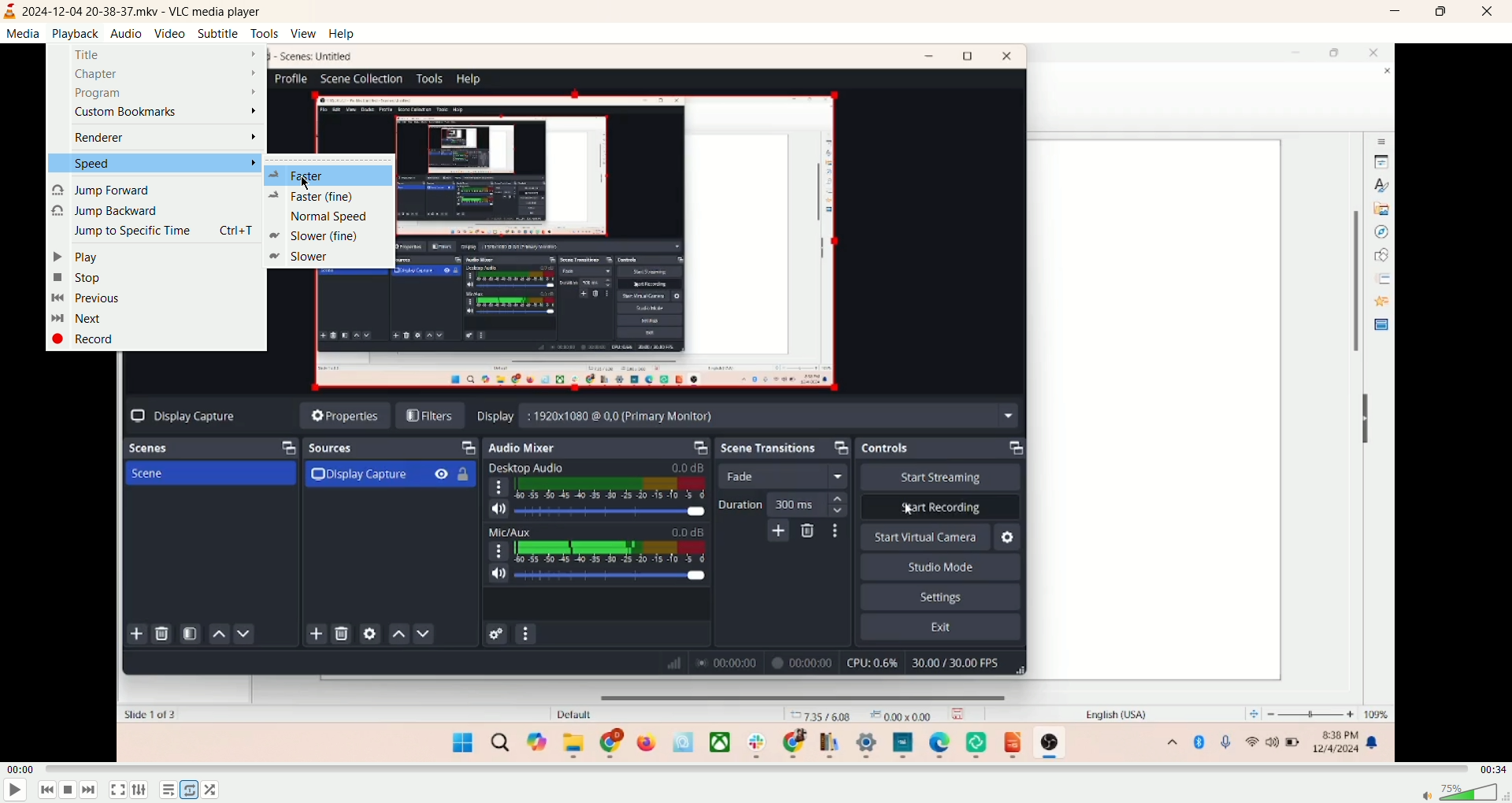 The width and height of the screenshot is (1512, 803). Describe the element at coordinates (1492, 768) in the screenshot. I see `total time` at that location.